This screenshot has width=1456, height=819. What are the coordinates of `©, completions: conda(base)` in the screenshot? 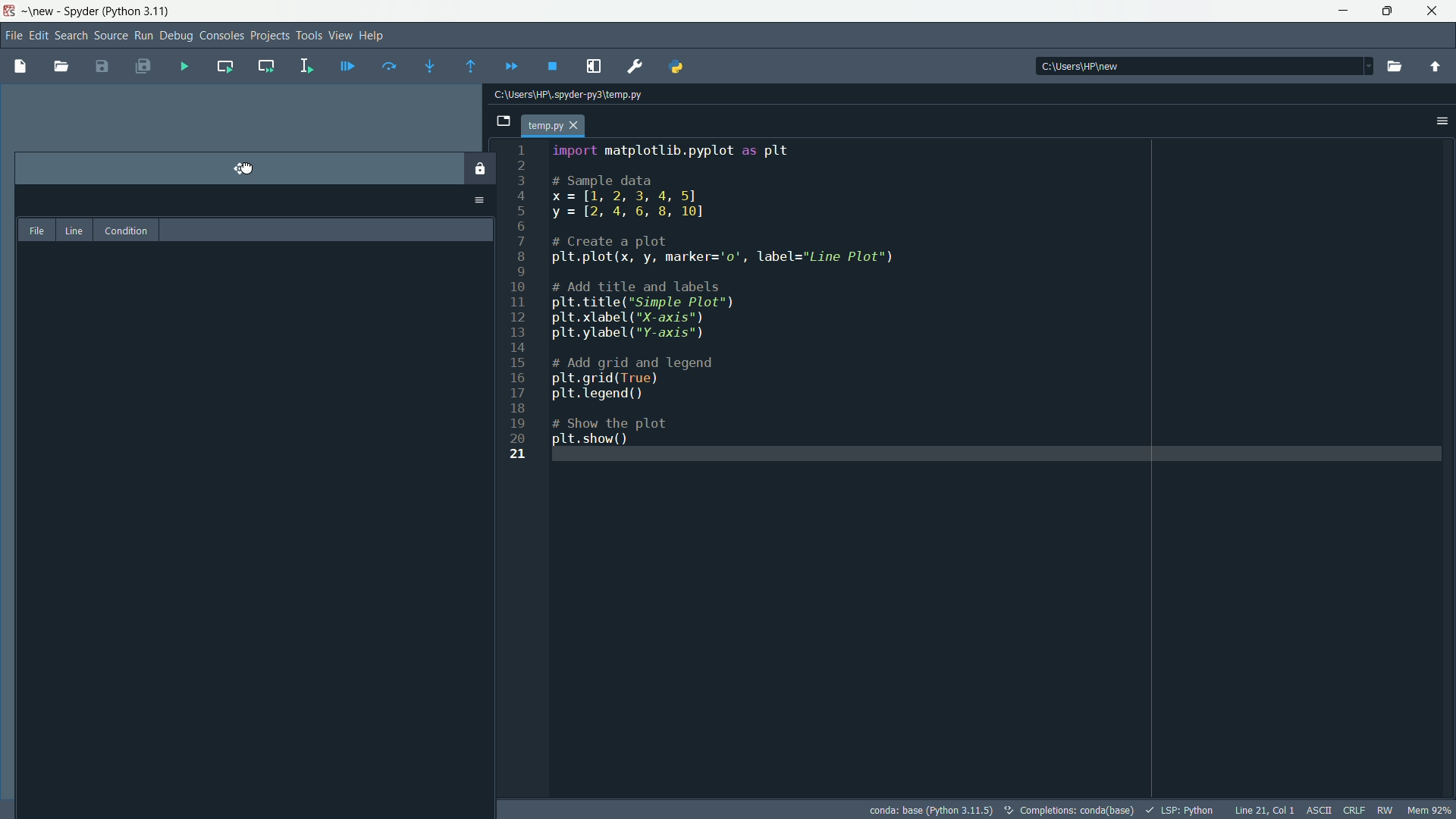 It's located at (1068, 808).